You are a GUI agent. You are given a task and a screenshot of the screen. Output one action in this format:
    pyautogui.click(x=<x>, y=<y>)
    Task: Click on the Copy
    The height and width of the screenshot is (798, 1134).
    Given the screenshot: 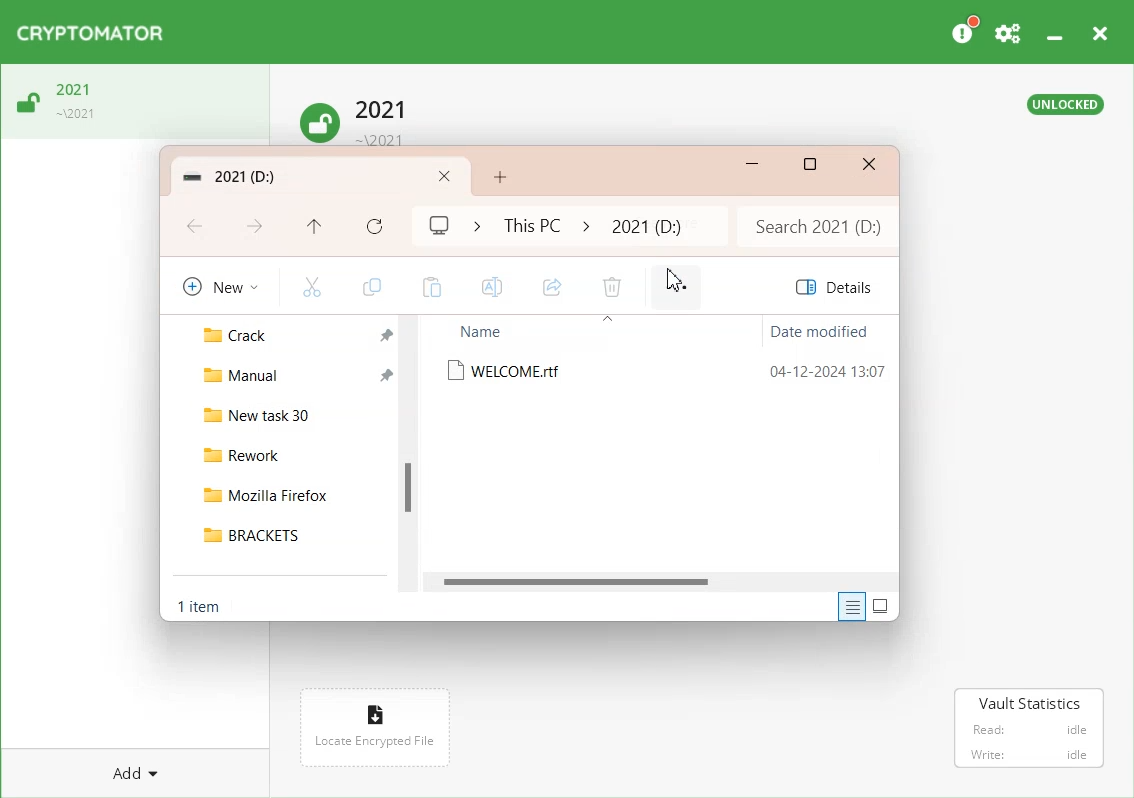 What is the action you would take?
    pyautogui.click(x=373, y=285)
    